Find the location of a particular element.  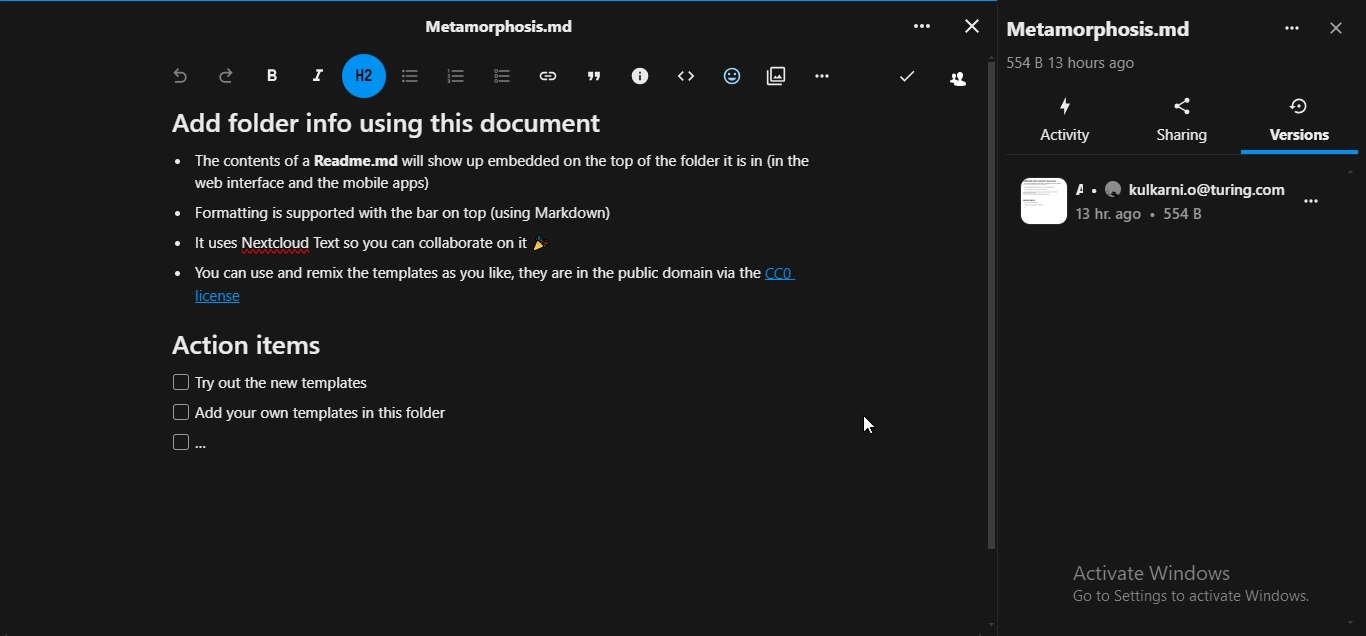

insert emoji is located at coordinates (728, 73).